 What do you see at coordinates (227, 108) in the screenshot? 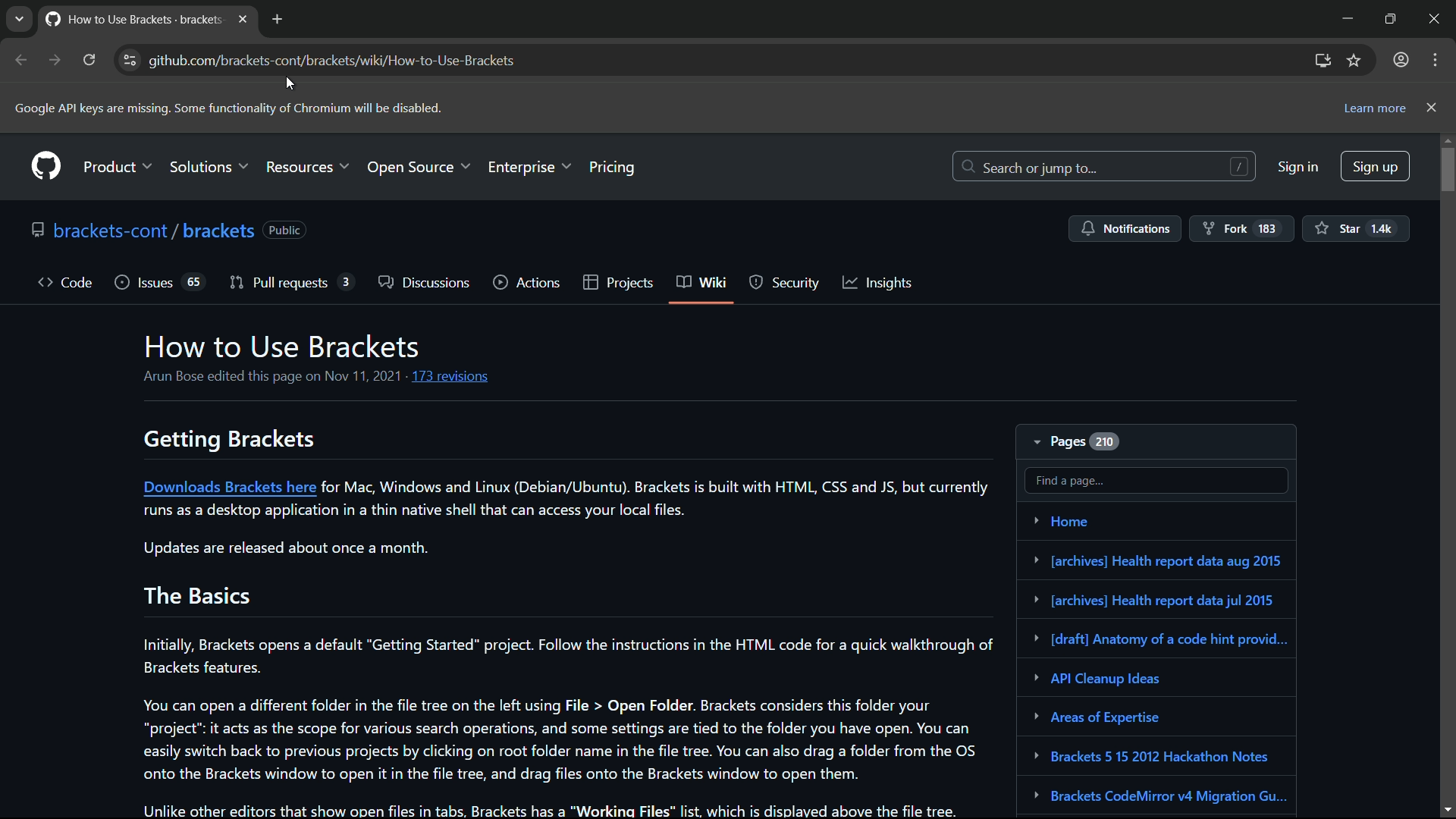
I see `Google API keys are missing. Some functionality of Chromium will be disabled` at bounding box center [227, 108].